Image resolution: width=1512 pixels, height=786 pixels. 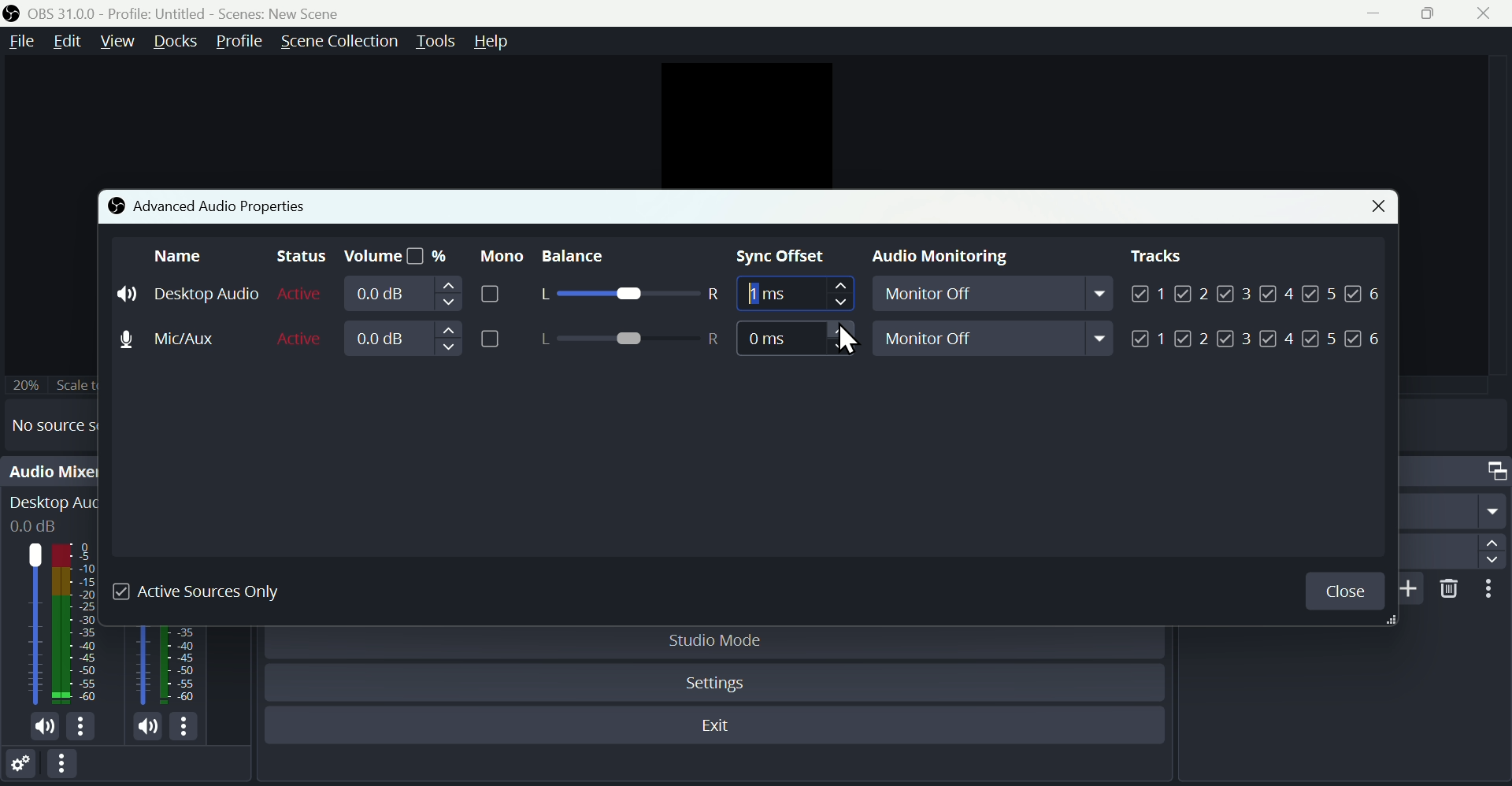 I want to click on Monitor off, so click(x=997, y=296).